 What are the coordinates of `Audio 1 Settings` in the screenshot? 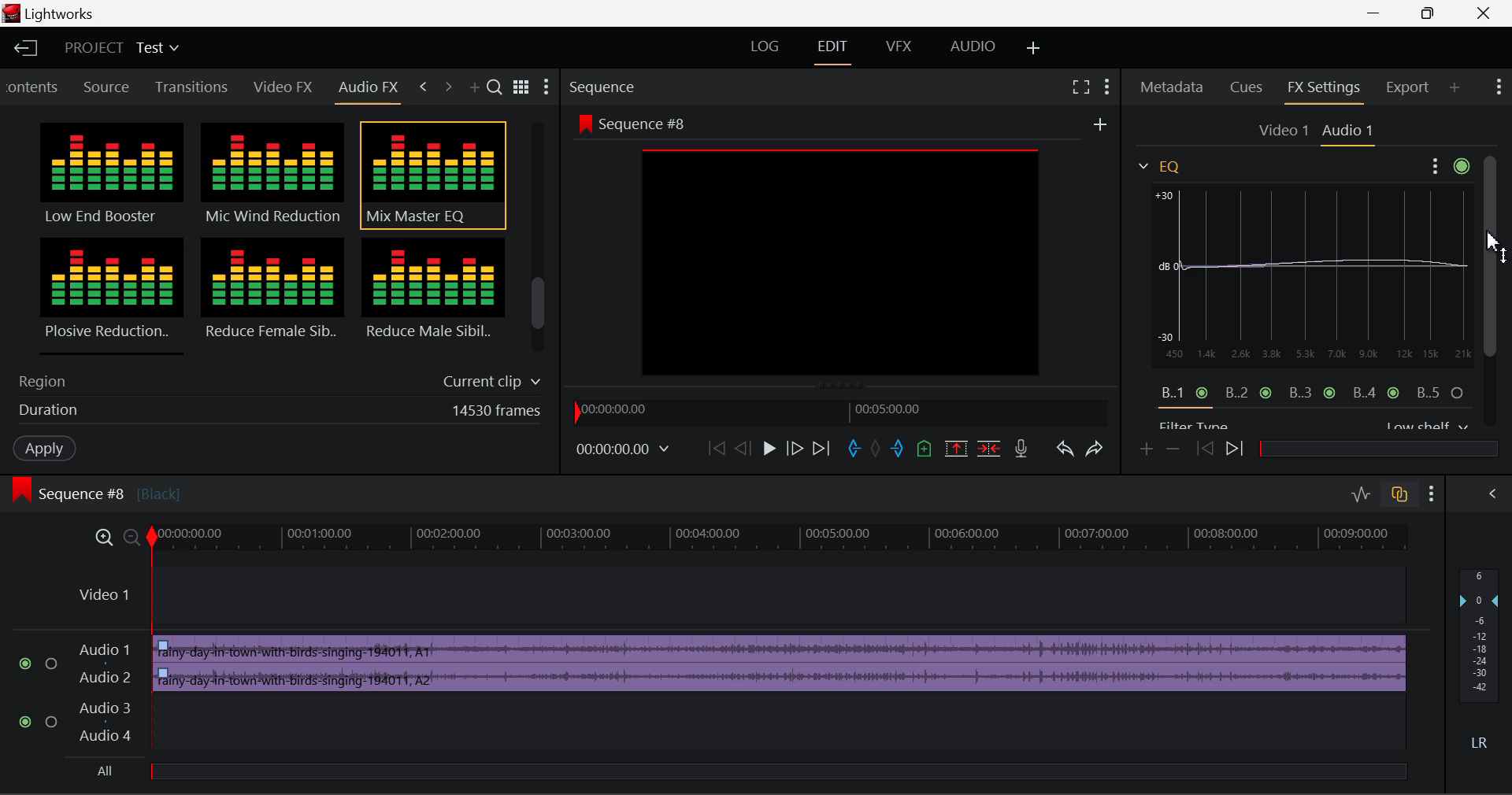 It's located at (1350, 131).